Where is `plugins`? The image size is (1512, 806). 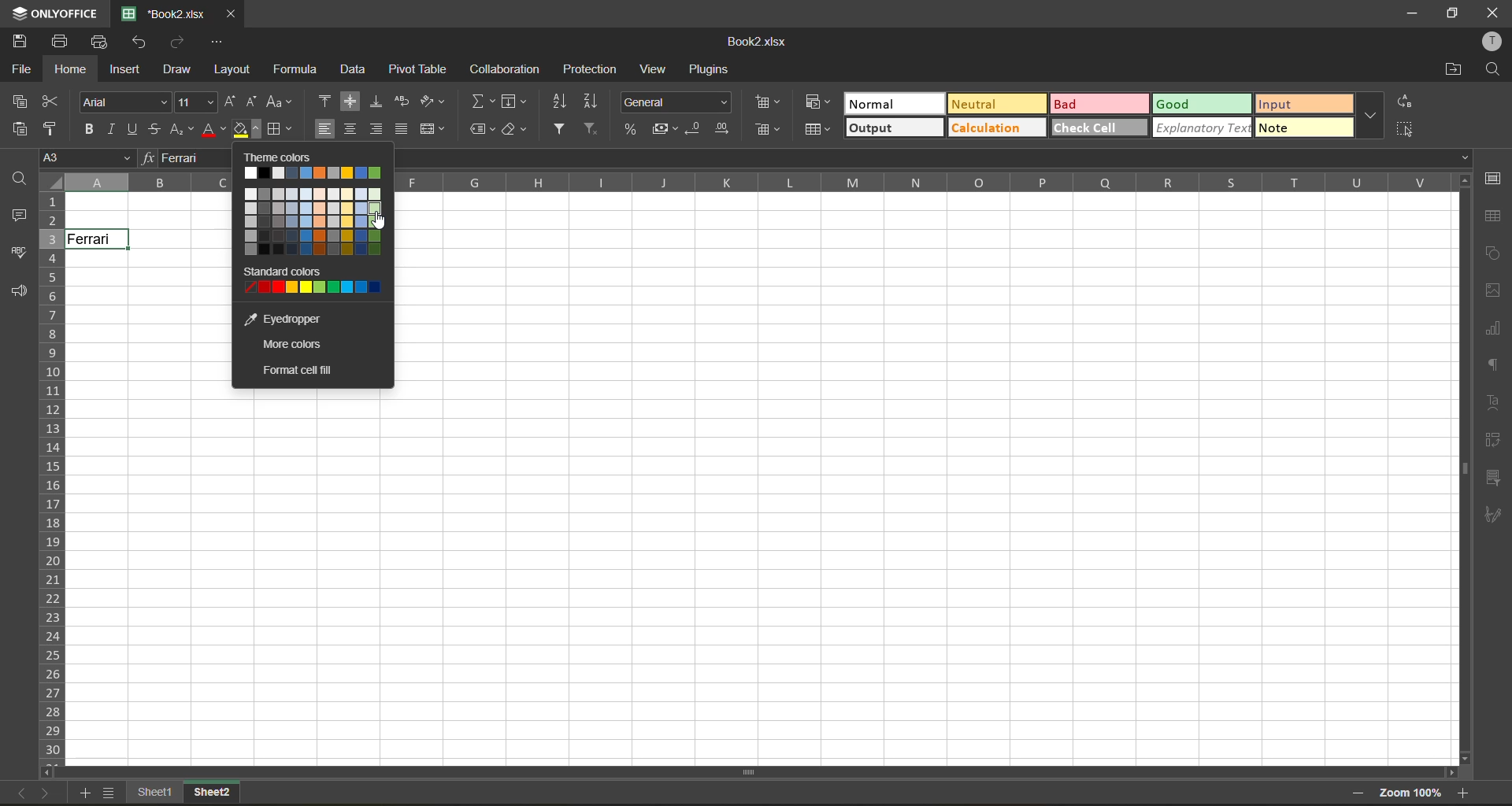 plugins is located at coordinates (711, 72).